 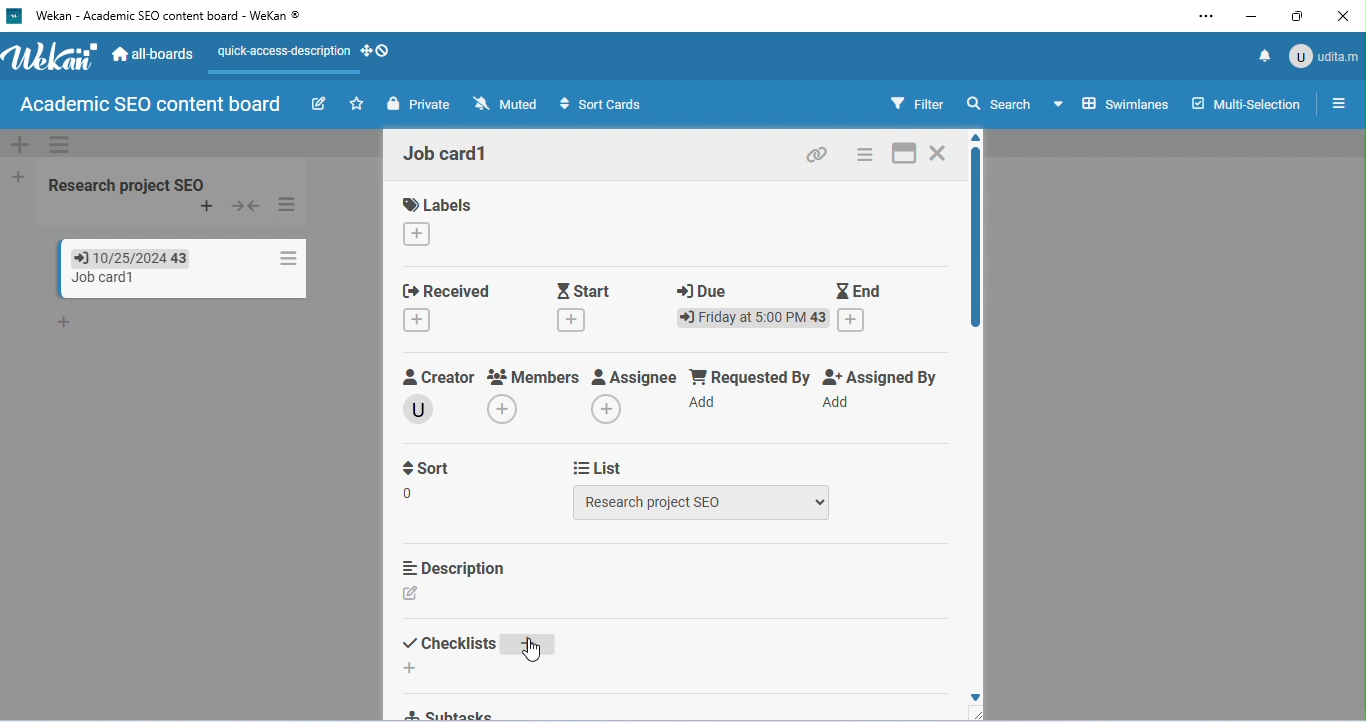 What do you see at coordinates (1337, 102) in the screenshot?
I see `open / close side bar` at bounding box center [1337, 102].